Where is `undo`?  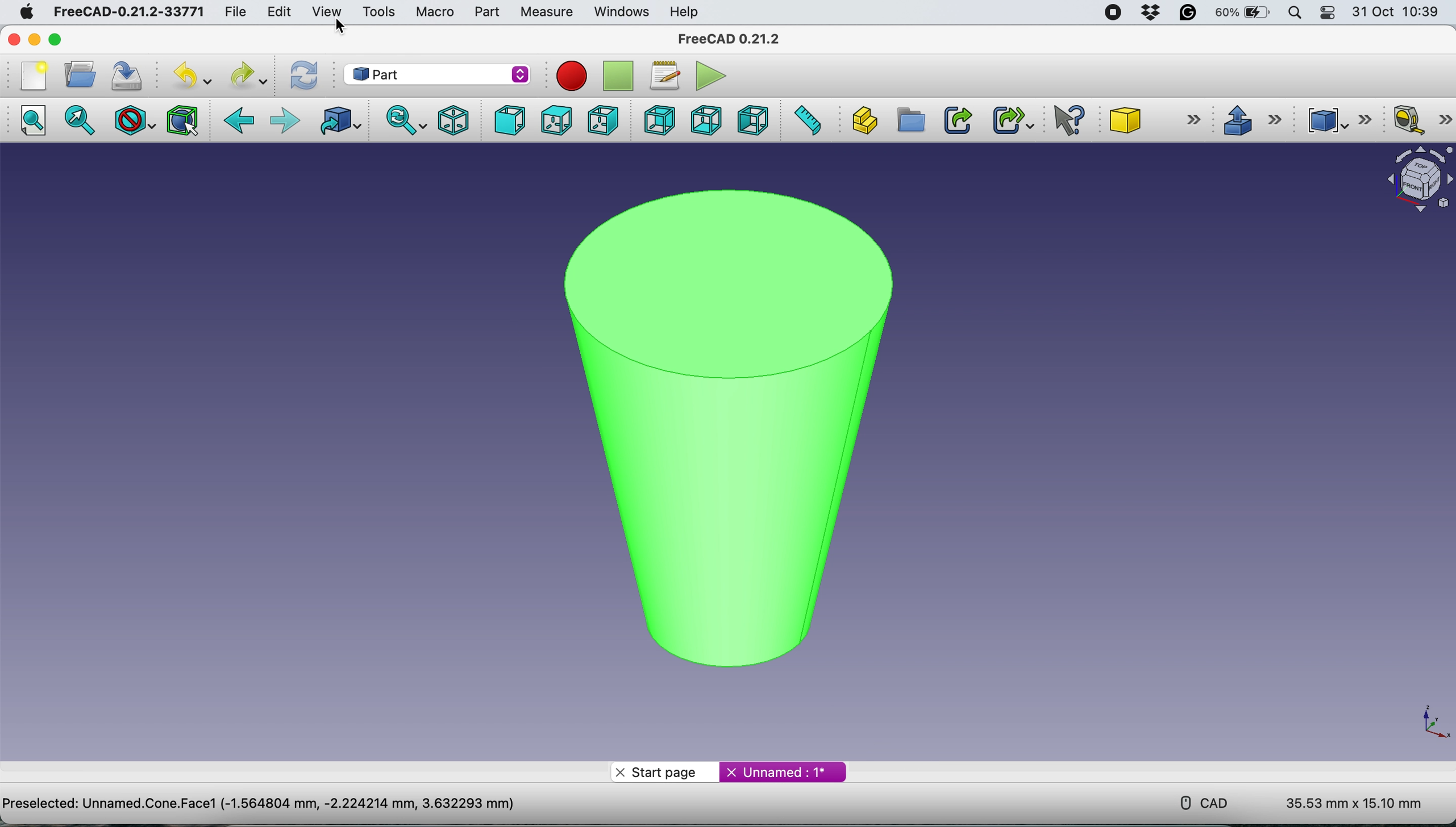
undo is located at coordinates (188, 76).